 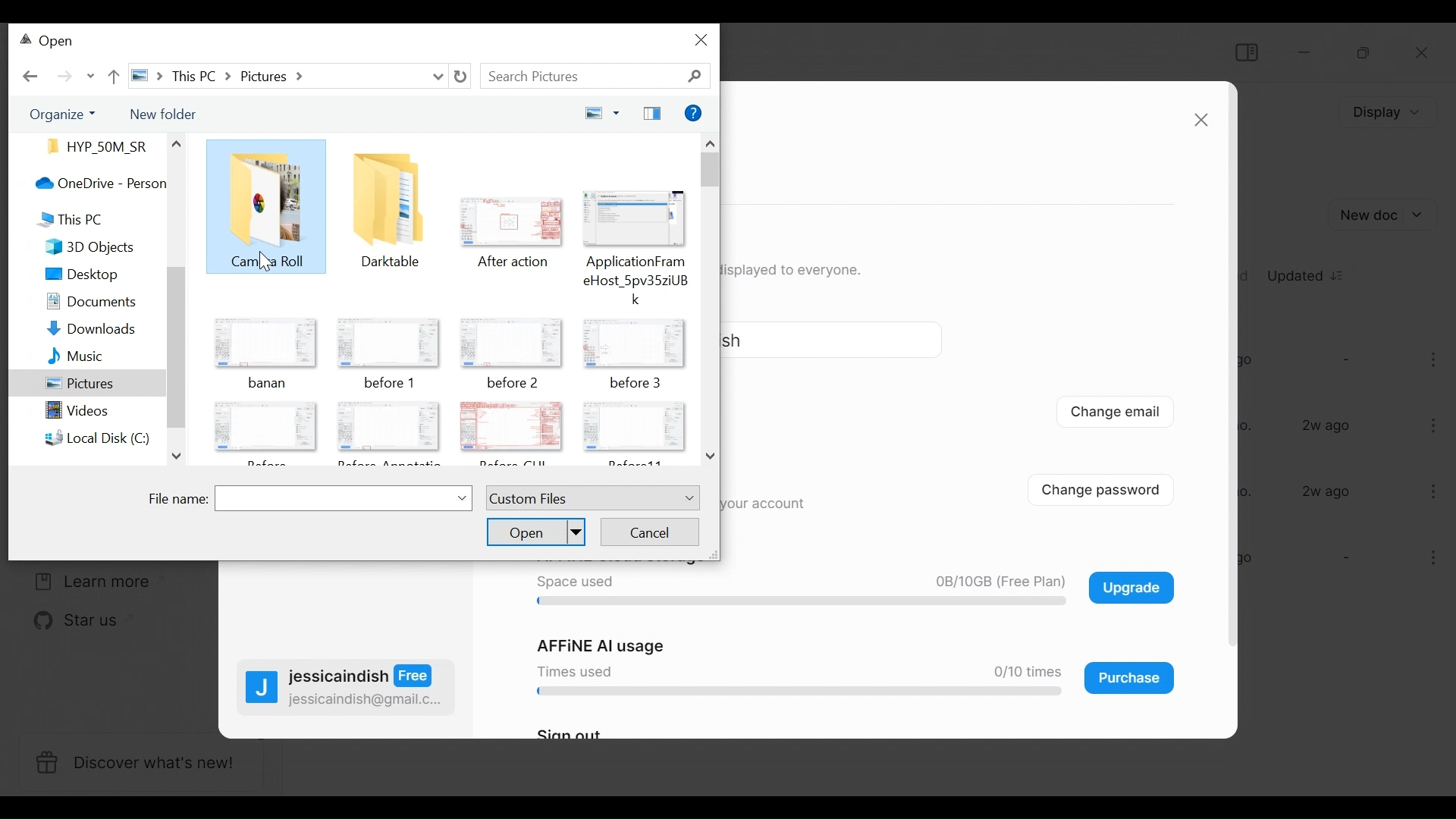 I want to click on Open, so click(x=536, y=531).